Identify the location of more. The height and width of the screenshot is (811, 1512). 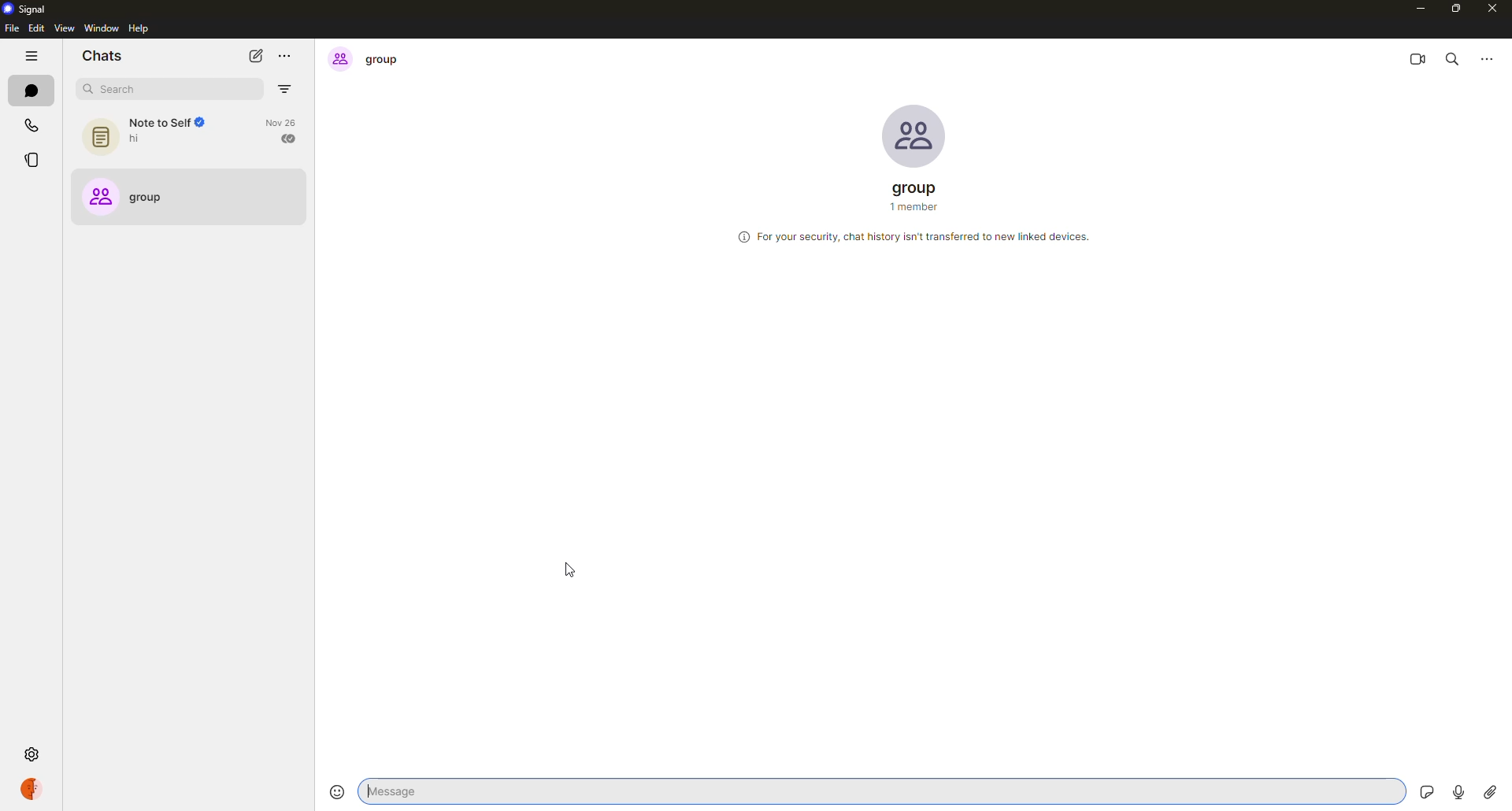
(285, 55).